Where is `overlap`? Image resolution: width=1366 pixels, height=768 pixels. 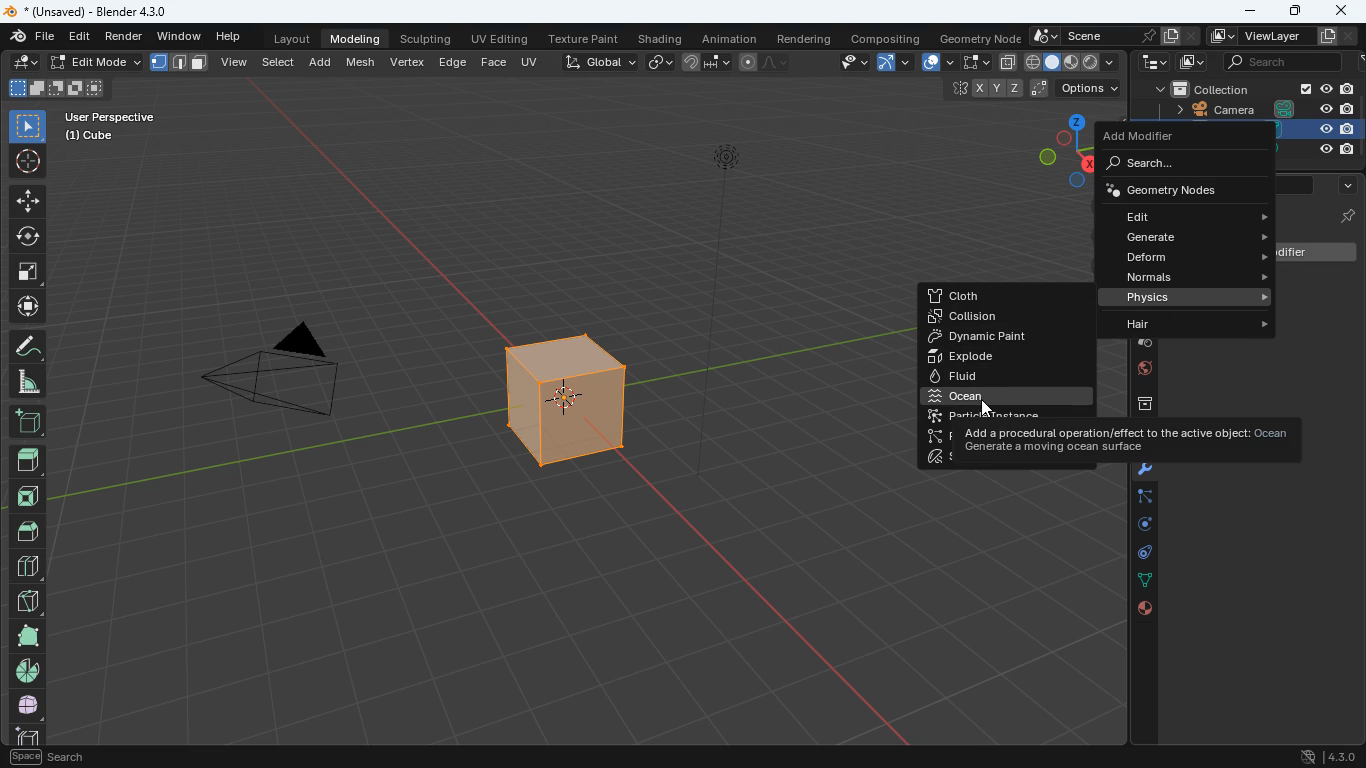
overlap is located at coordinates (937, 62).